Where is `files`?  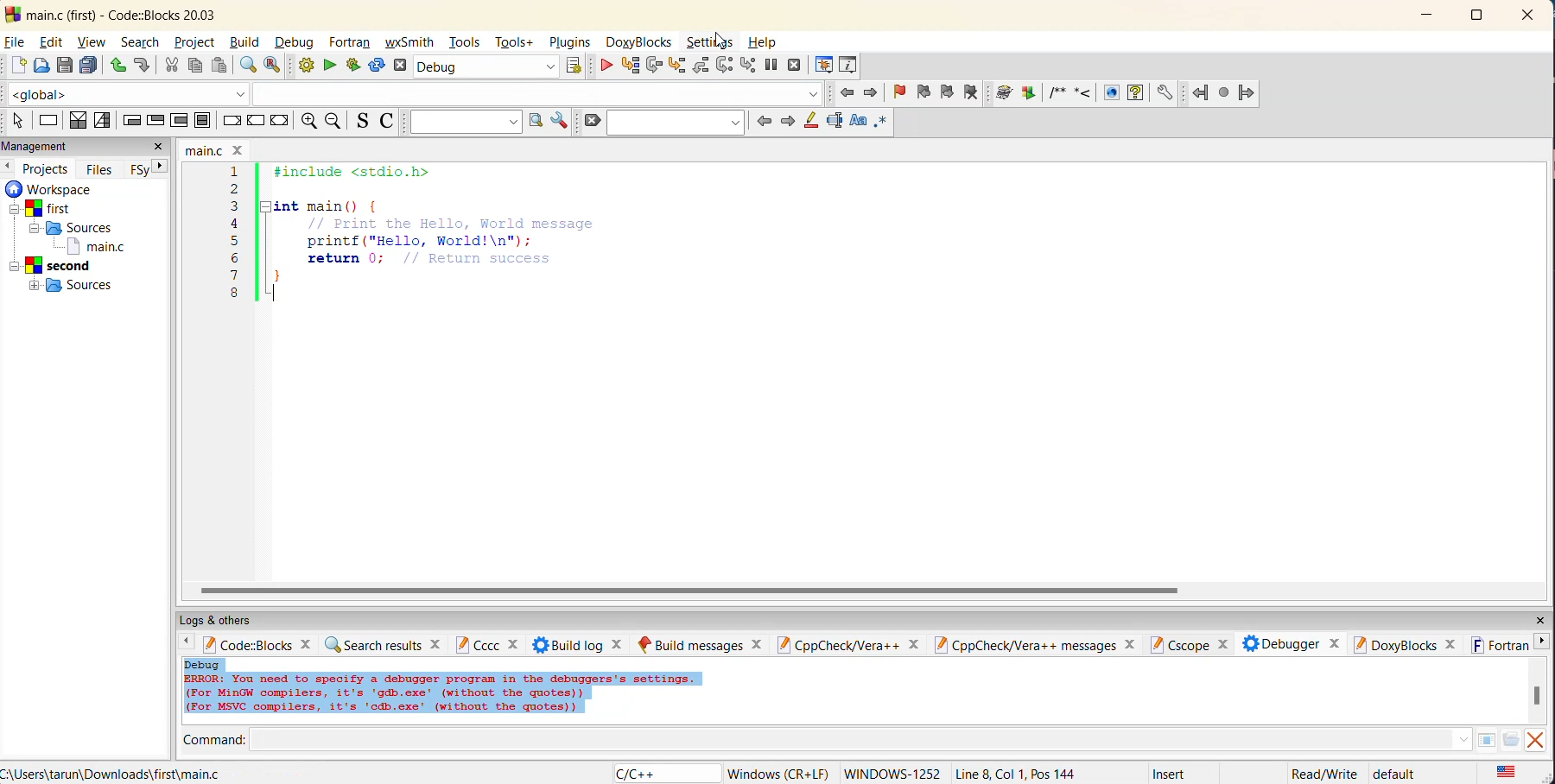
files is located at coordinates (103, 168).